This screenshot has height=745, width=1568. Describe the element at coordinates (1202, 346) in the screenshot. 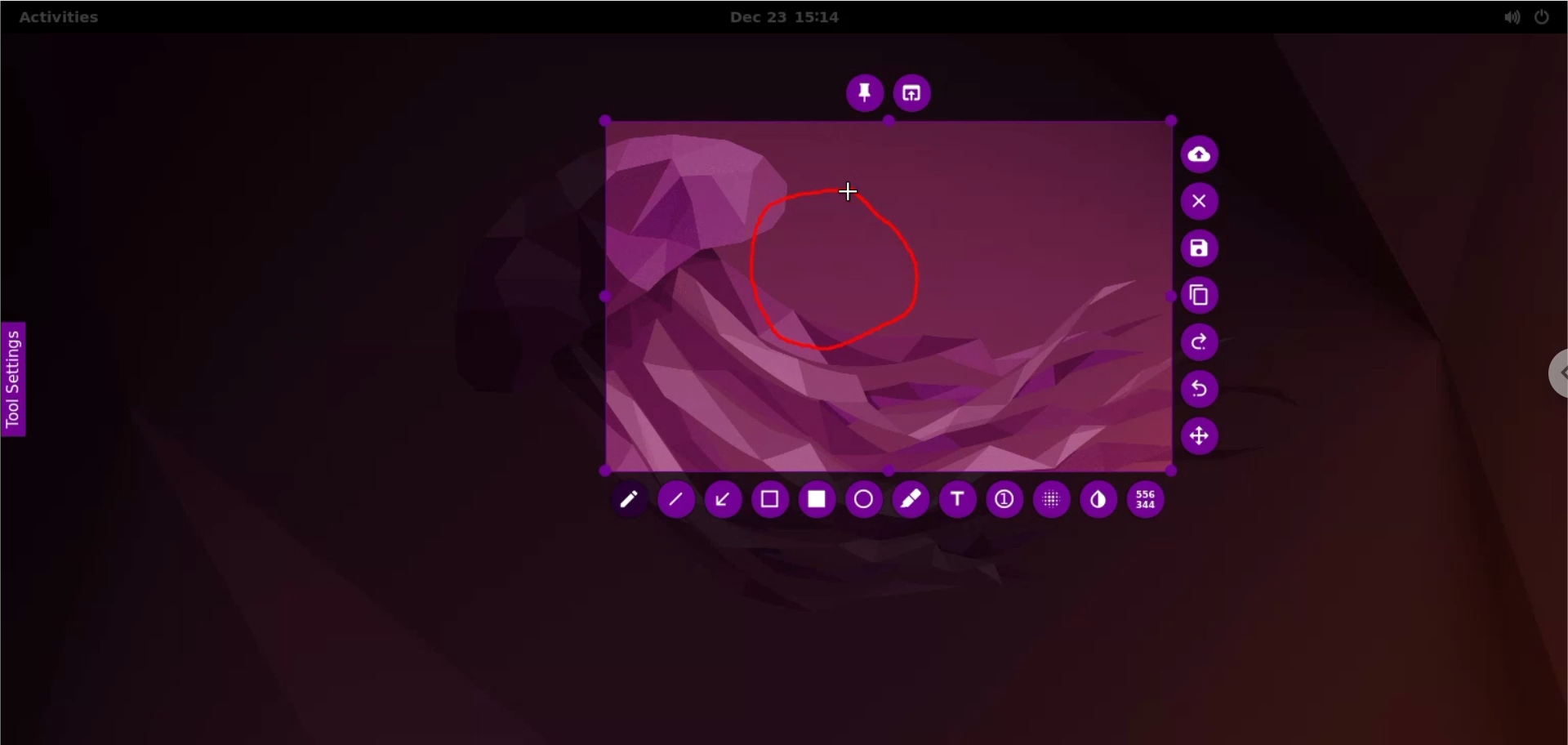

I see `redo` at that location.